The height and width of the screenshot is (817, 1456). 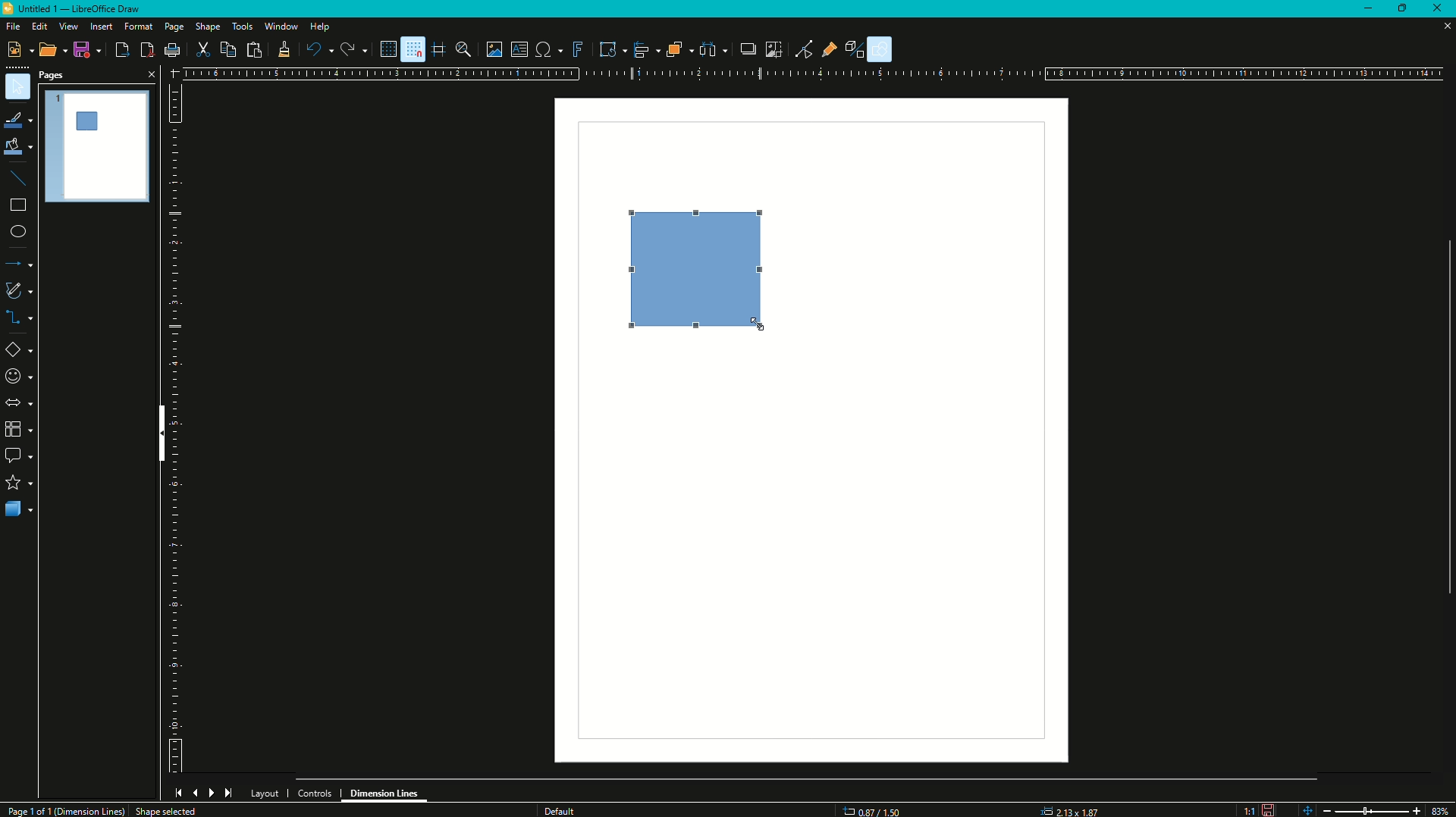 I want to click on Text Bubbles, so click(x=20, y=457).